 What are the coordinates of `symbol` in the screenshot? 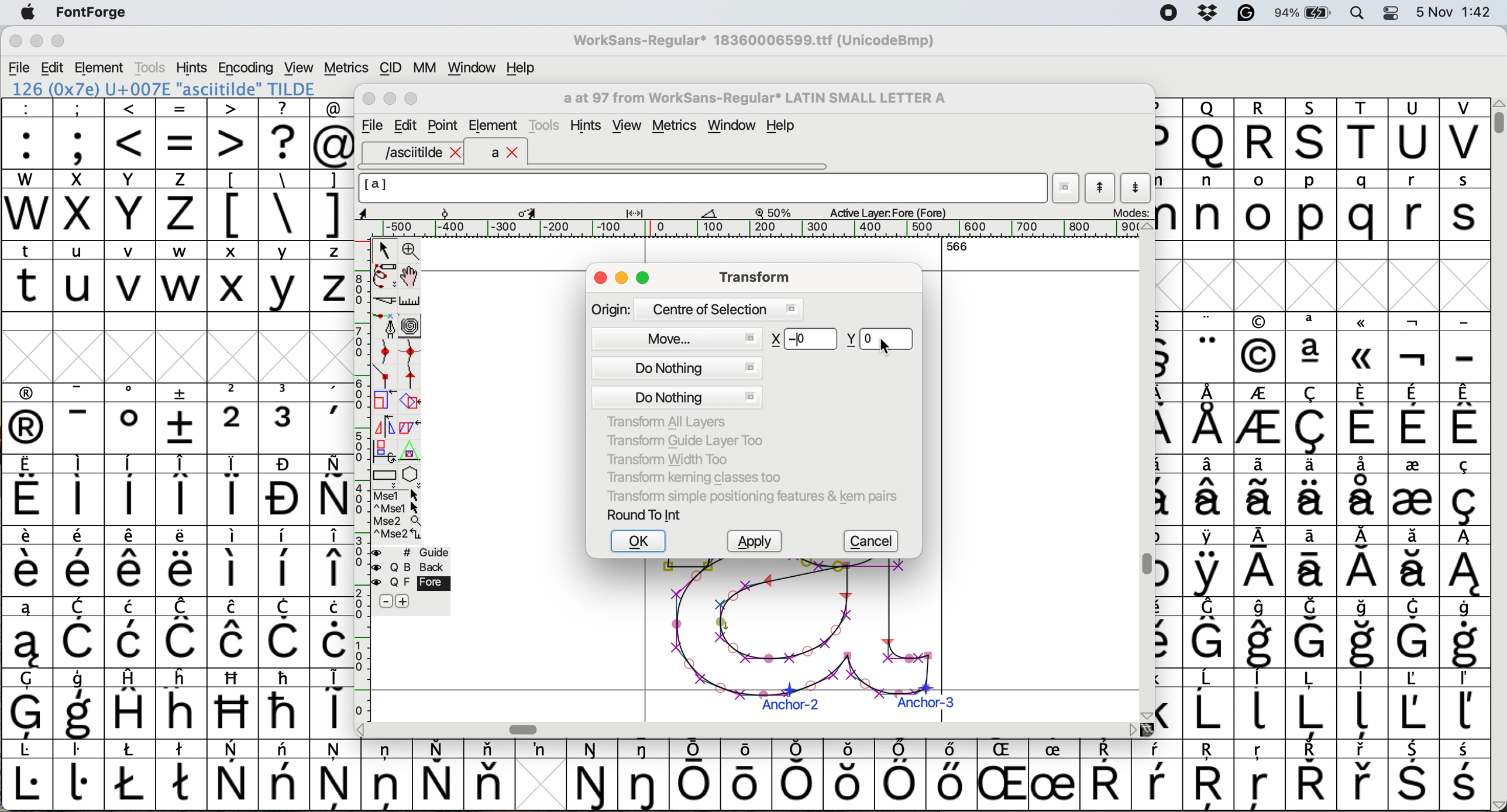 It's located at (183, 632).